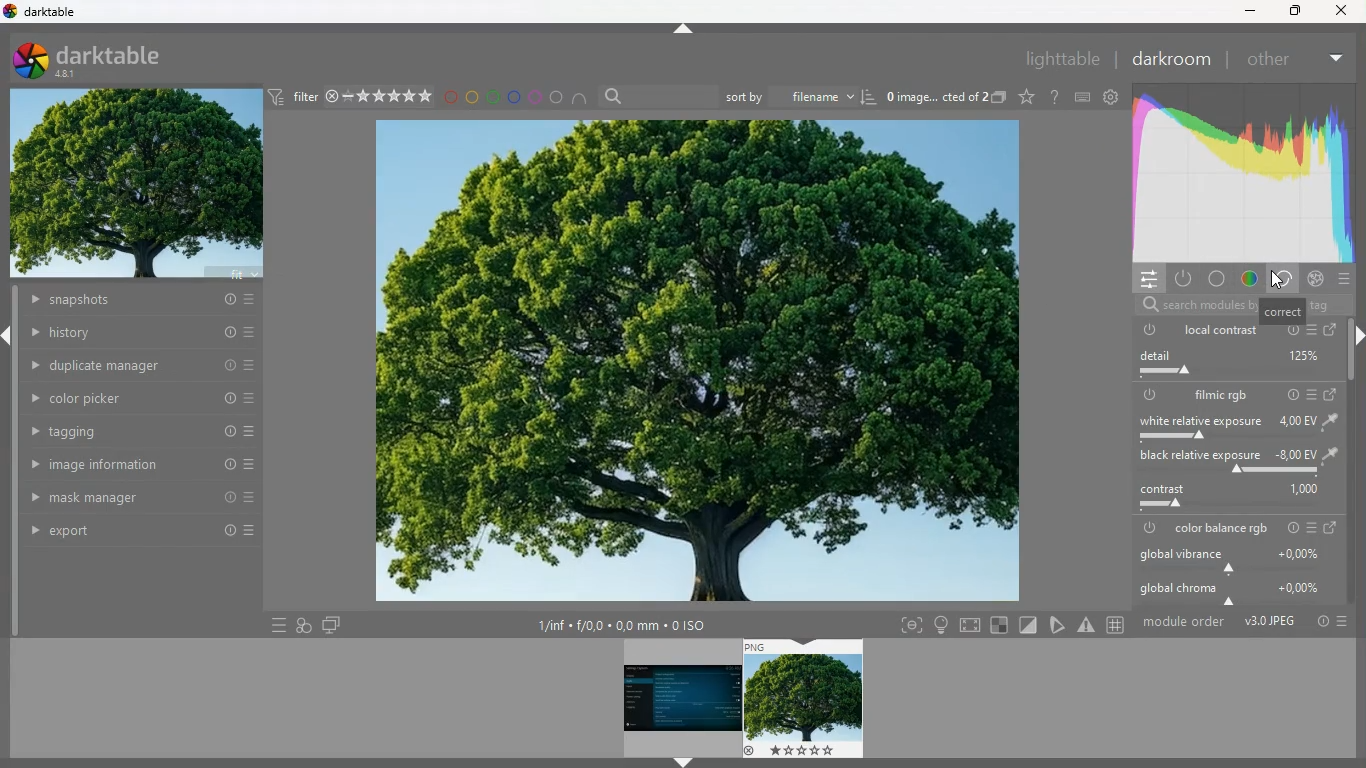 The height and width of the screenshot is (768, 1366). Describe the element at coordinates (277, 624) in the screenshot. I see `more` at that location.